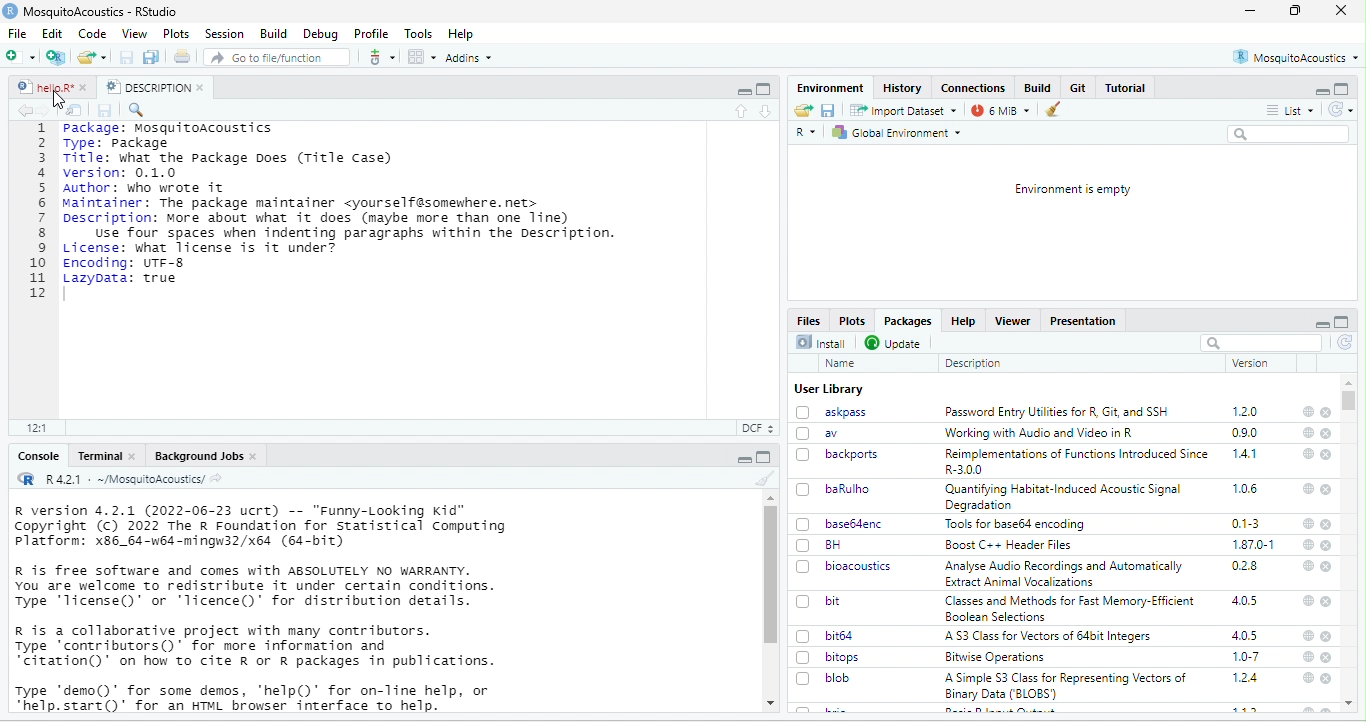 This screenshot has width=1366, height=722. What do you see at coordinates (344, 204) in the screenshot?
I see `Package: MosquitoAcoustics Type: PackageTitle: what the package Does (Title Case)version: 0.1.0Author: who wrote itMaintainer: The package maintainer <yourself@somewhere.net>Description: More about what it does (maybe more than one line)use four spaces when indenting paragraphs within the pescription.License: what license is it under?encoding: UTF-8LazyData: true` at bounding box center [344, 204].